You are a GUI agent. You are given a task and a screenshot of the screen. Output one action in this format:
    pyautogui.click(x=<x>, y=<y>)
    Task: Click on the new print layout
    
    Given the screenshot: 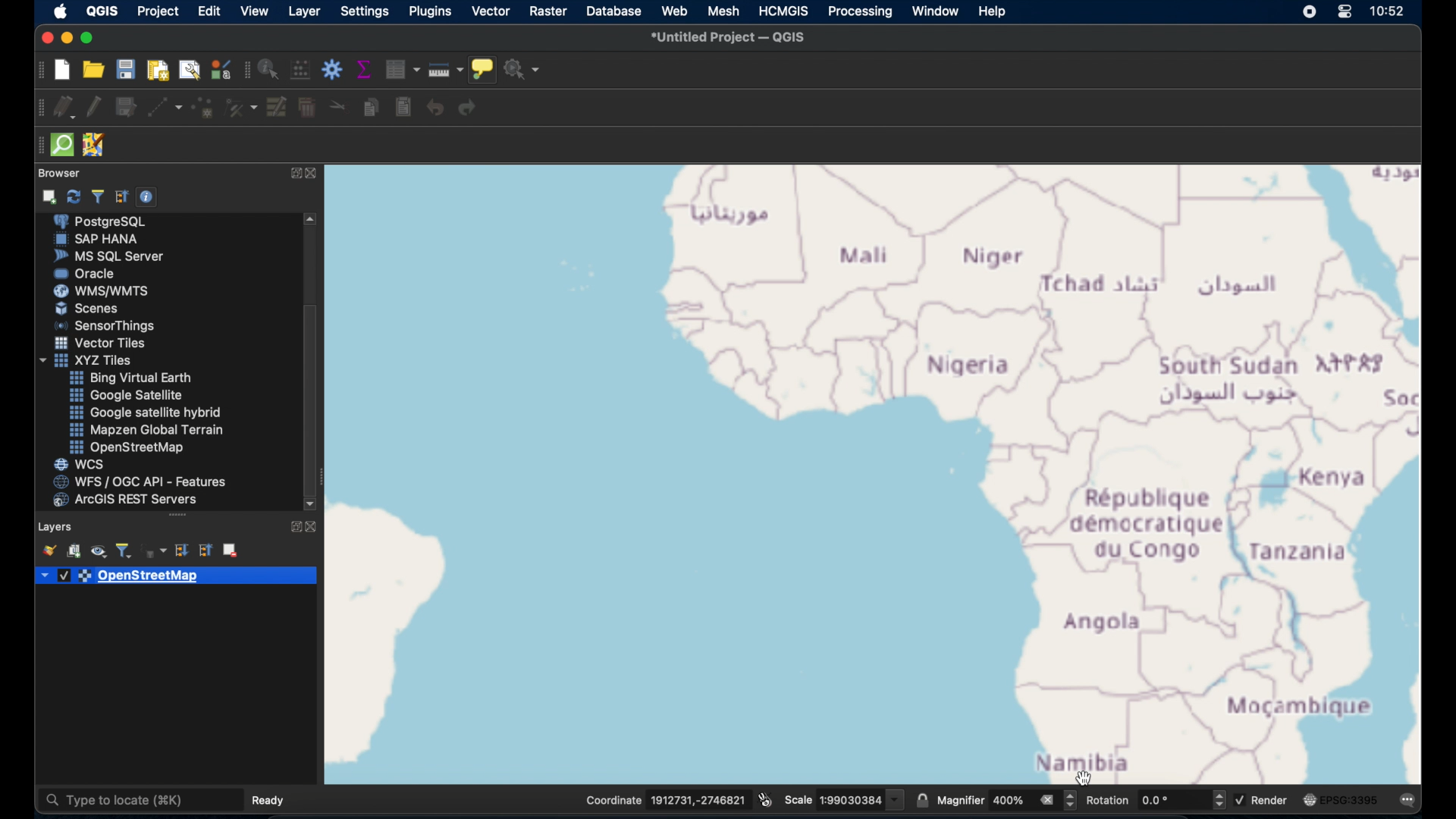 What is the action you would take?
    pyautogui.click(x=157, y=72)
    